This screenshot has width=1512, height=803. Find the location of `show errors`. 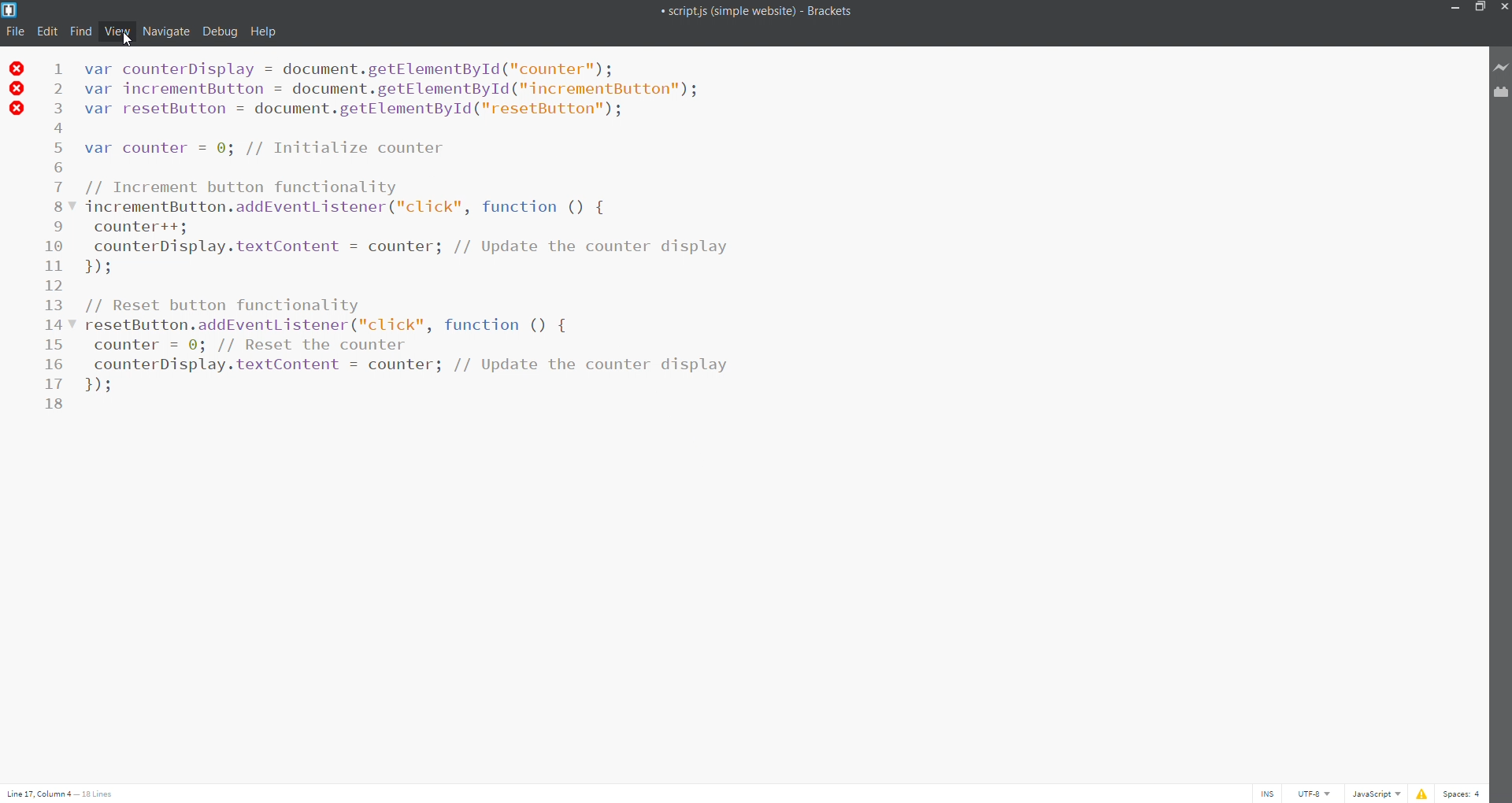

show errors is located at coordinates (1423, 794).